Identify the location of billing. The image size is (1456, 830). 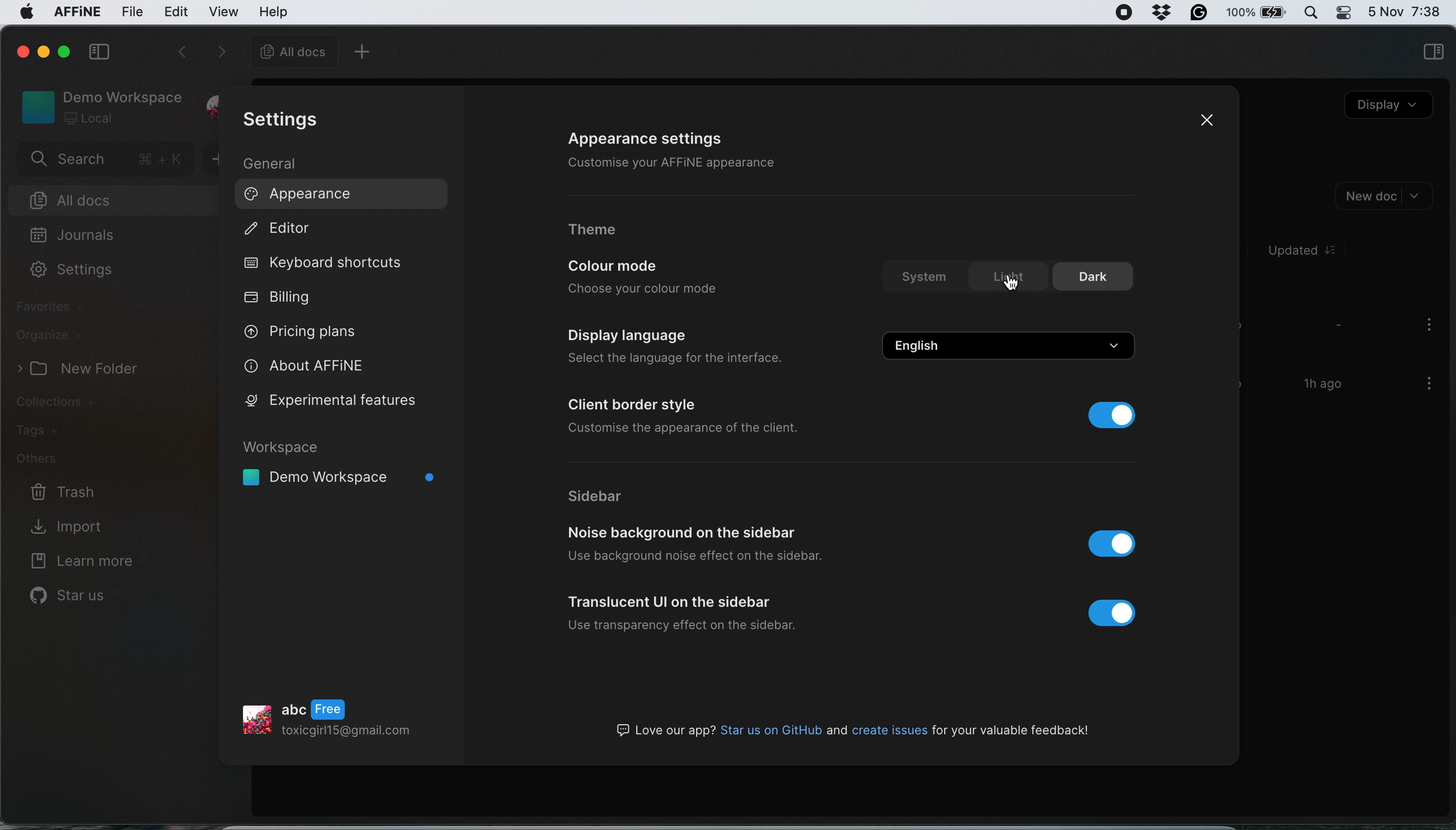
(280, 297).